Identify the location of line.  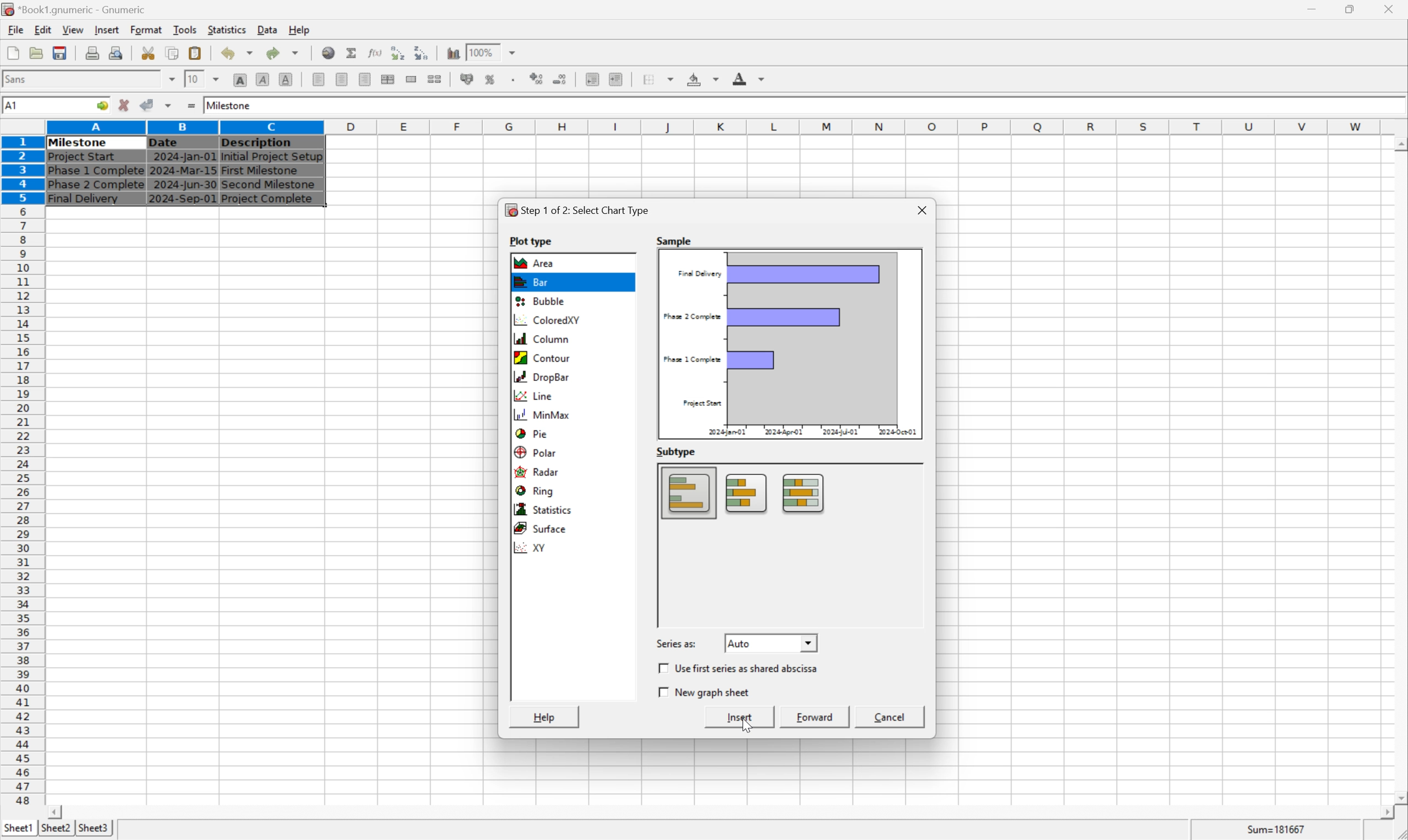
(533, 395).